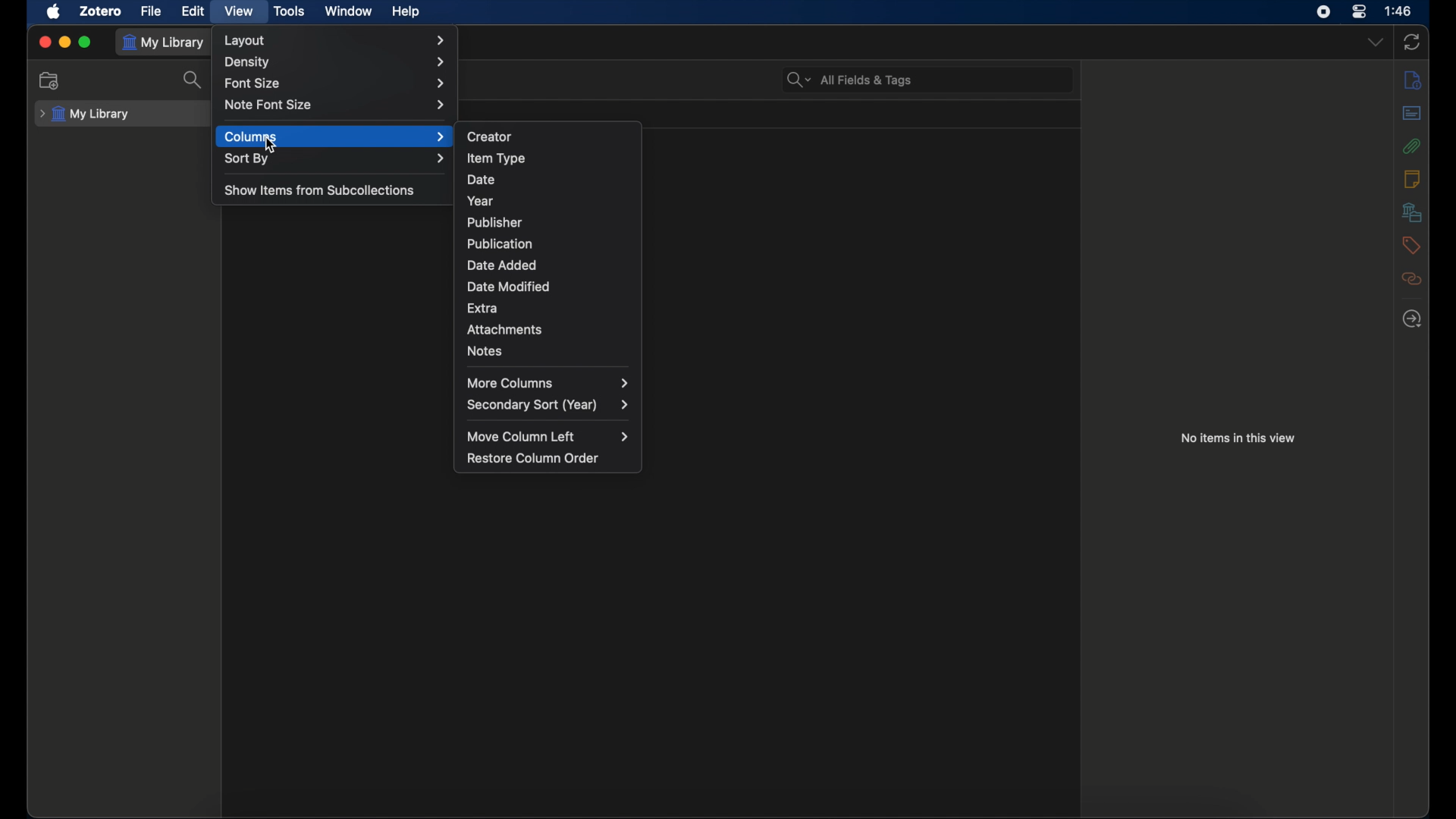 This screenshot has height=819, width=1456. Describe the element at coordinates (533, 459) in the screenshot. I see `restore column order` at that location.